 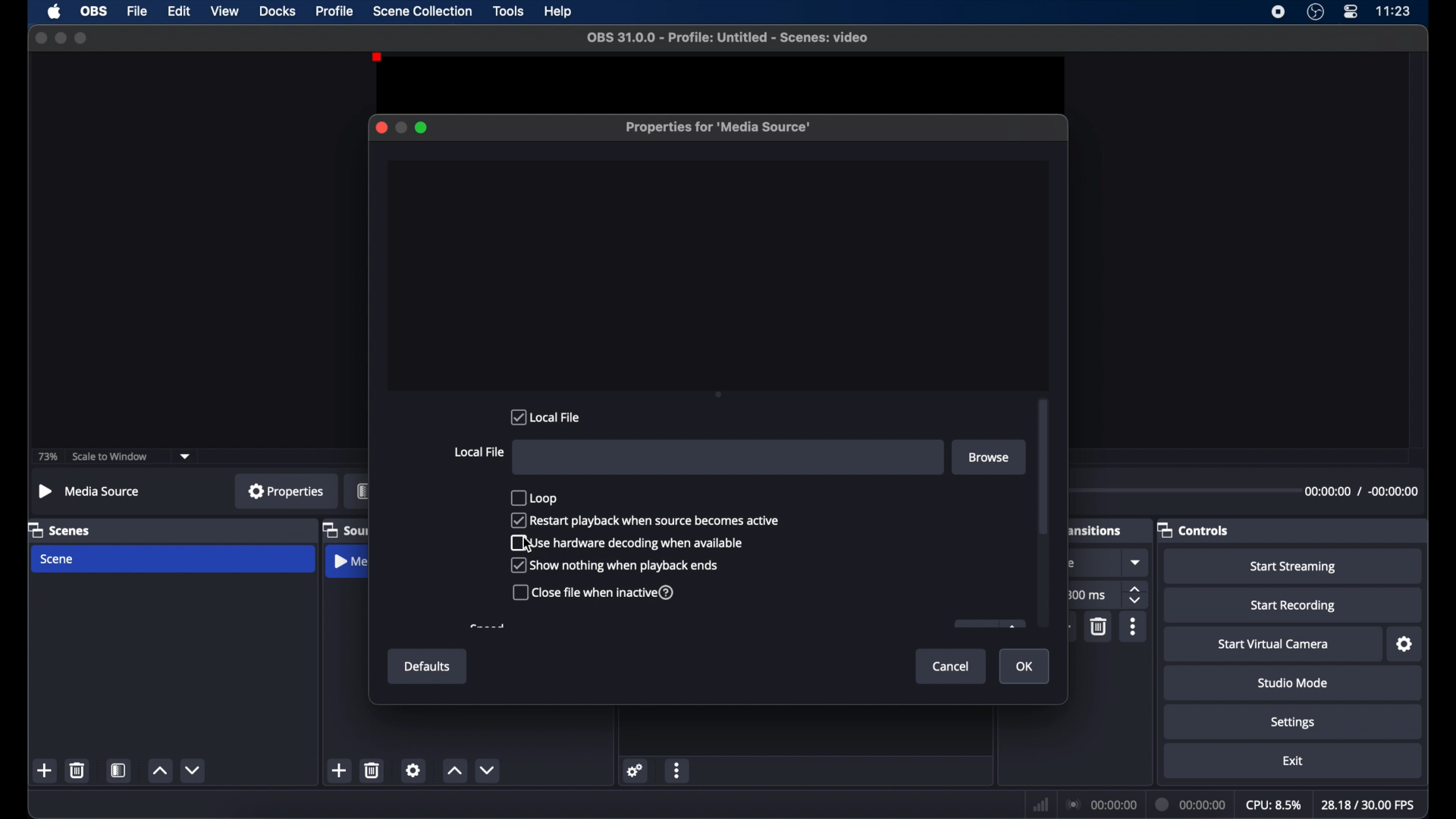 I want to click on scene, so click(x=56, y=560).